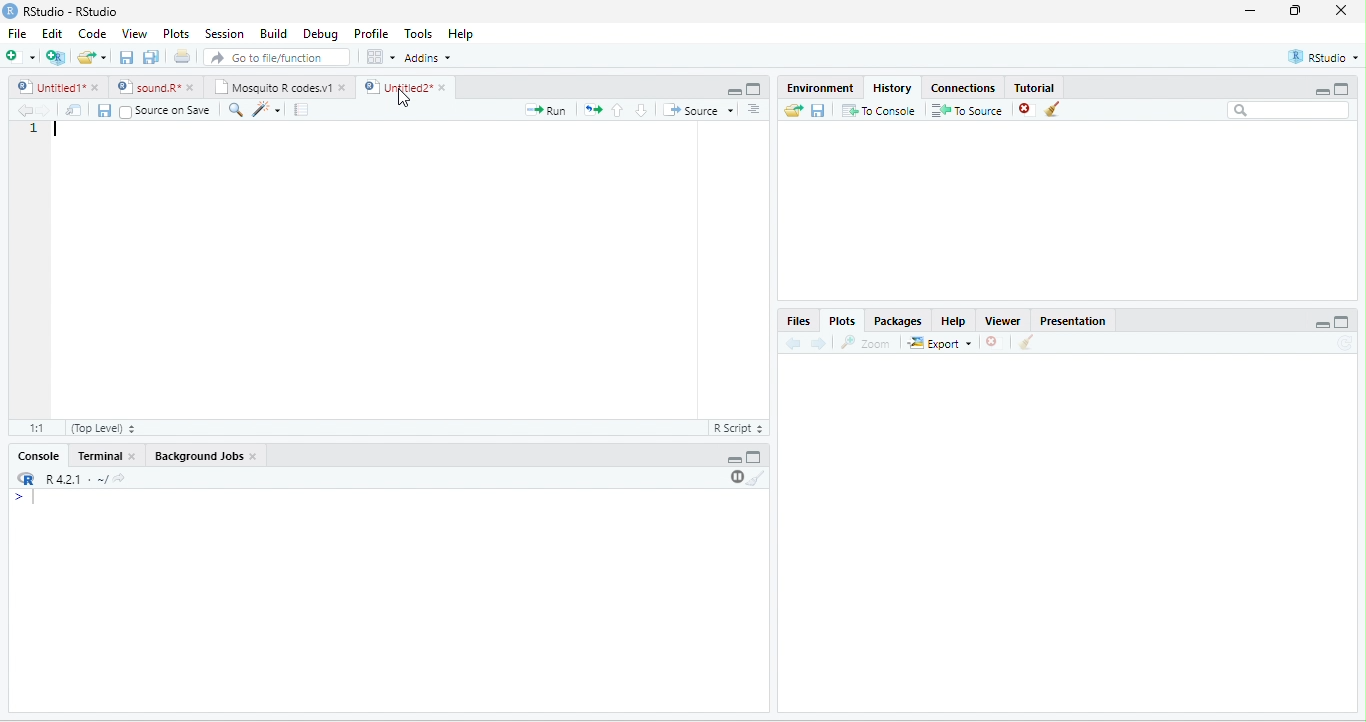  What do you see at coordinates (754, 457) in the screenshot?
I see `Maximize` at bounding box center [754, 457].